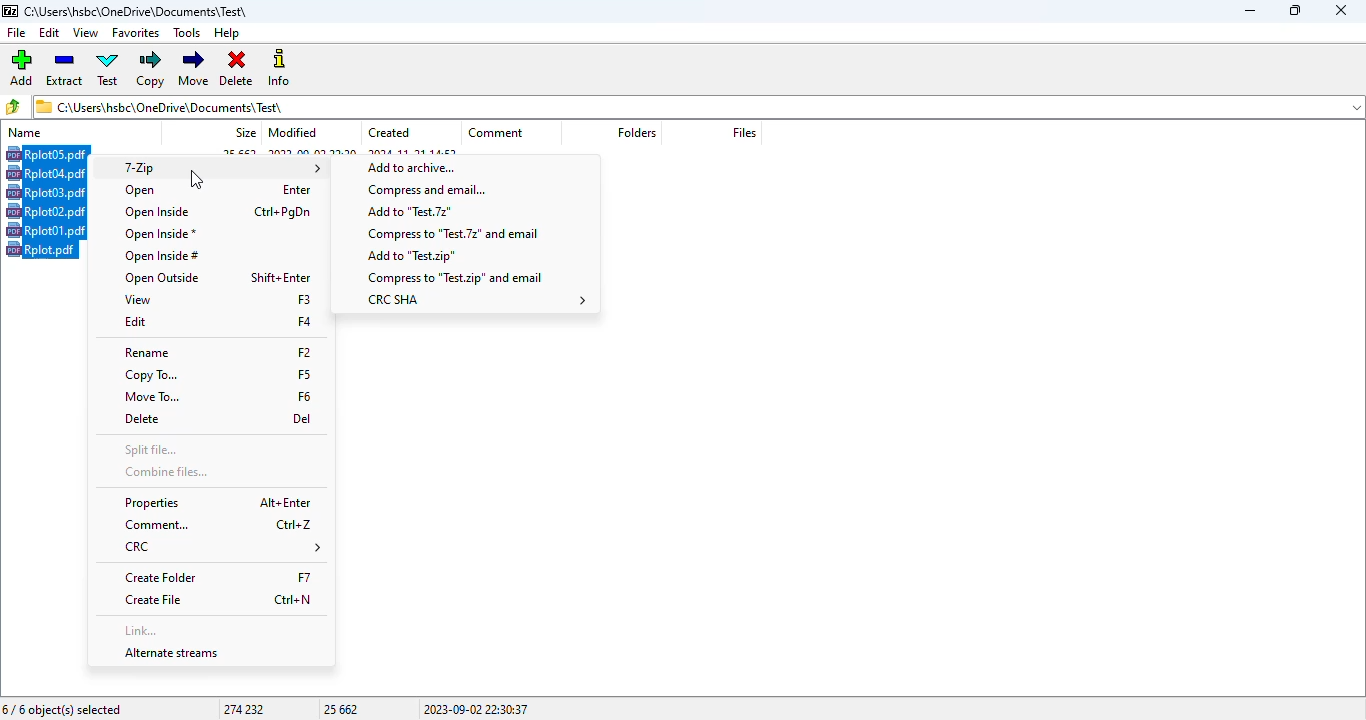 The width and height of the screenshot is (1366, 720). What do you see at coordinates (217, 376) in the screenshot?
I see `copy to ` at bounding box center [217, 376].